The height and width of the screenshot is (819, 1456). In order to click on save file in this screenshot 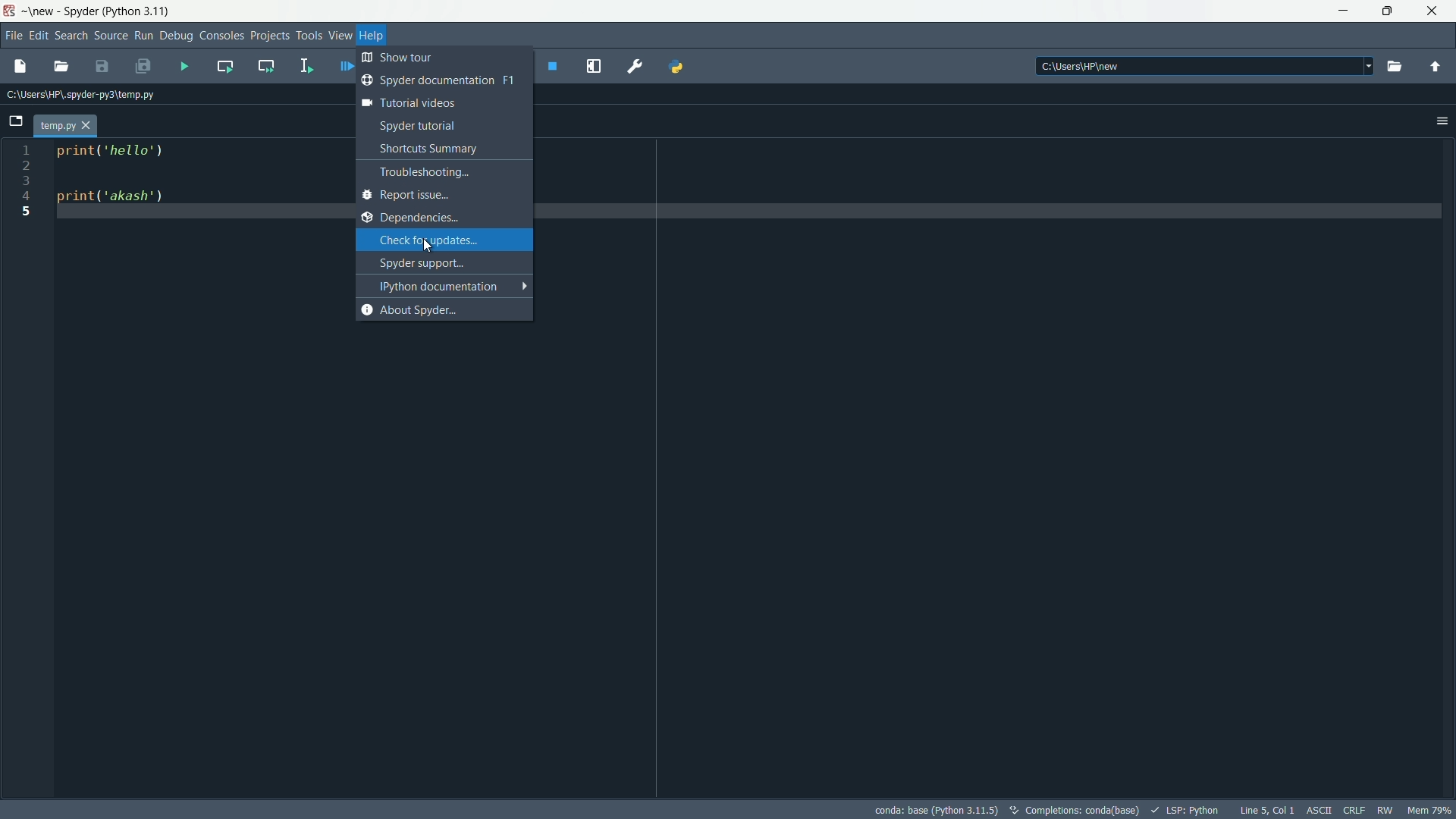, I will do `click(100, 66)`.